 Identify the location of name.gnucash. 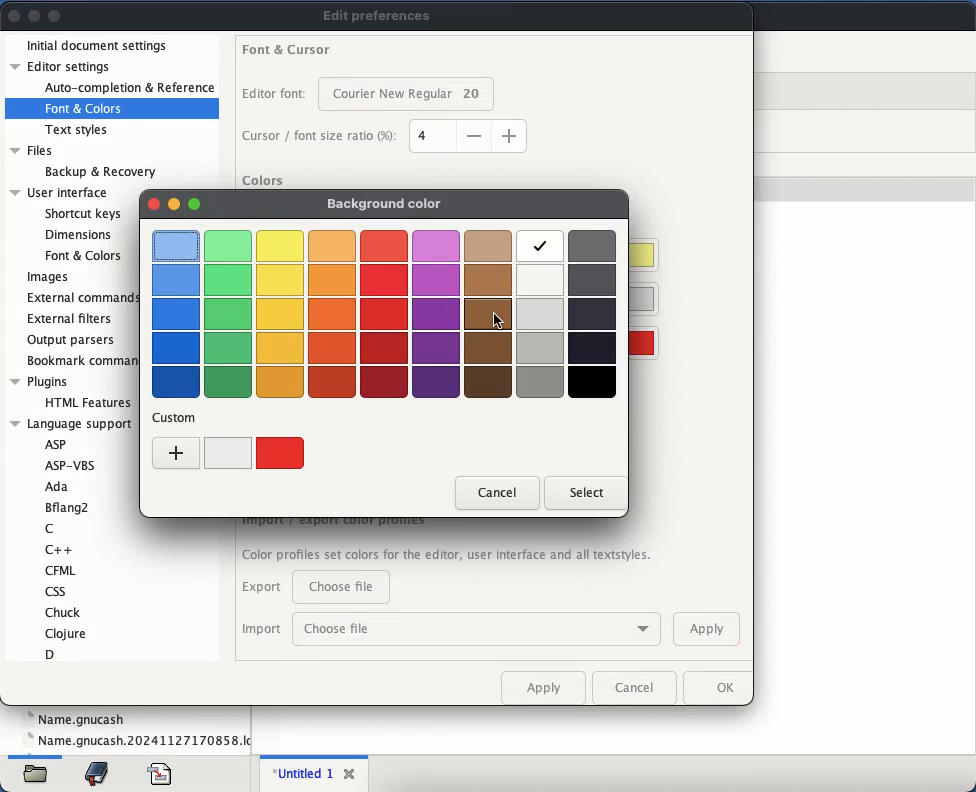
(78, 718).